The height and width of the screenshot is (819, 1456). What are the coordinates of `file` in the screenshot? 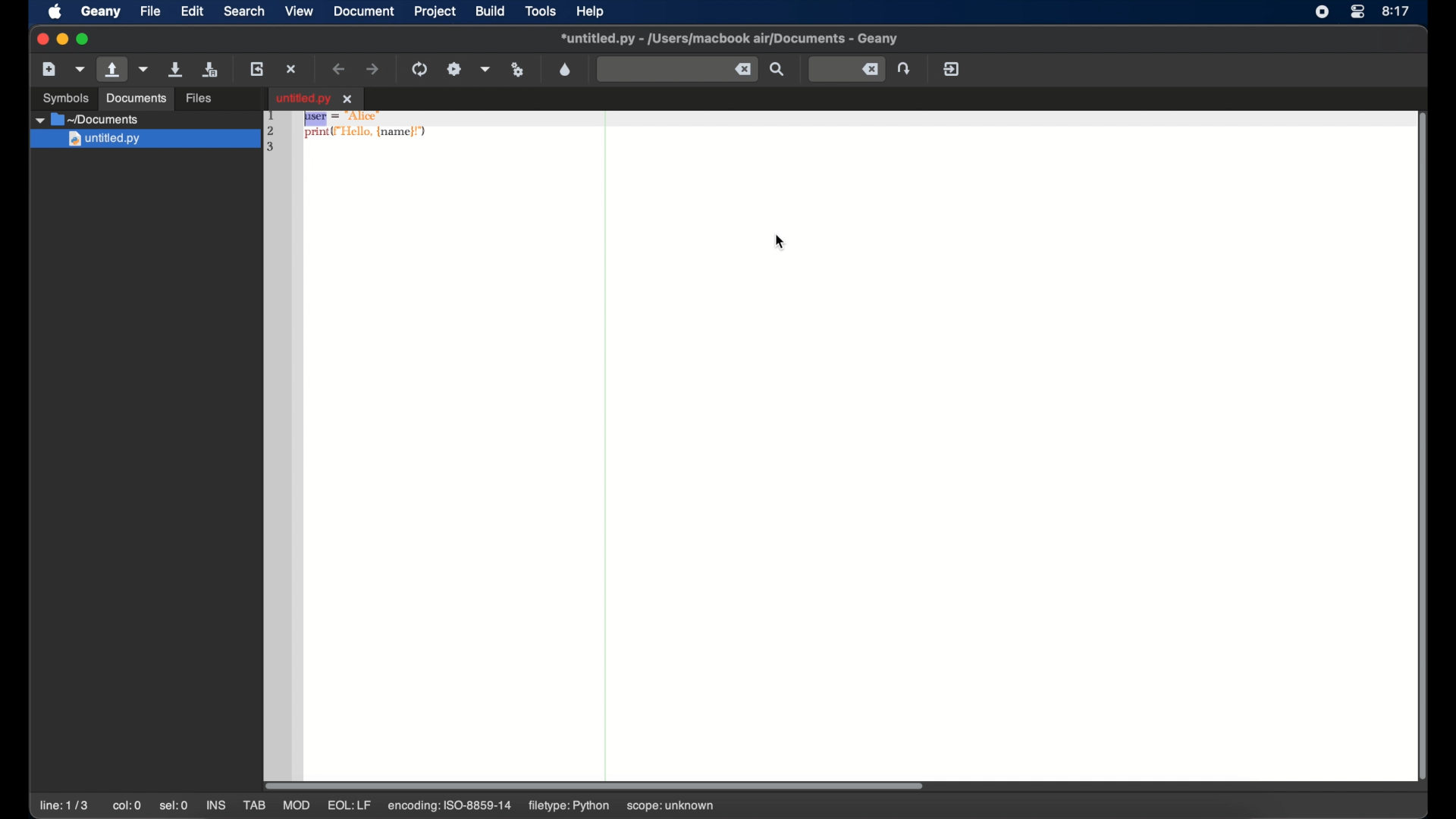 It's located at (150, 11).